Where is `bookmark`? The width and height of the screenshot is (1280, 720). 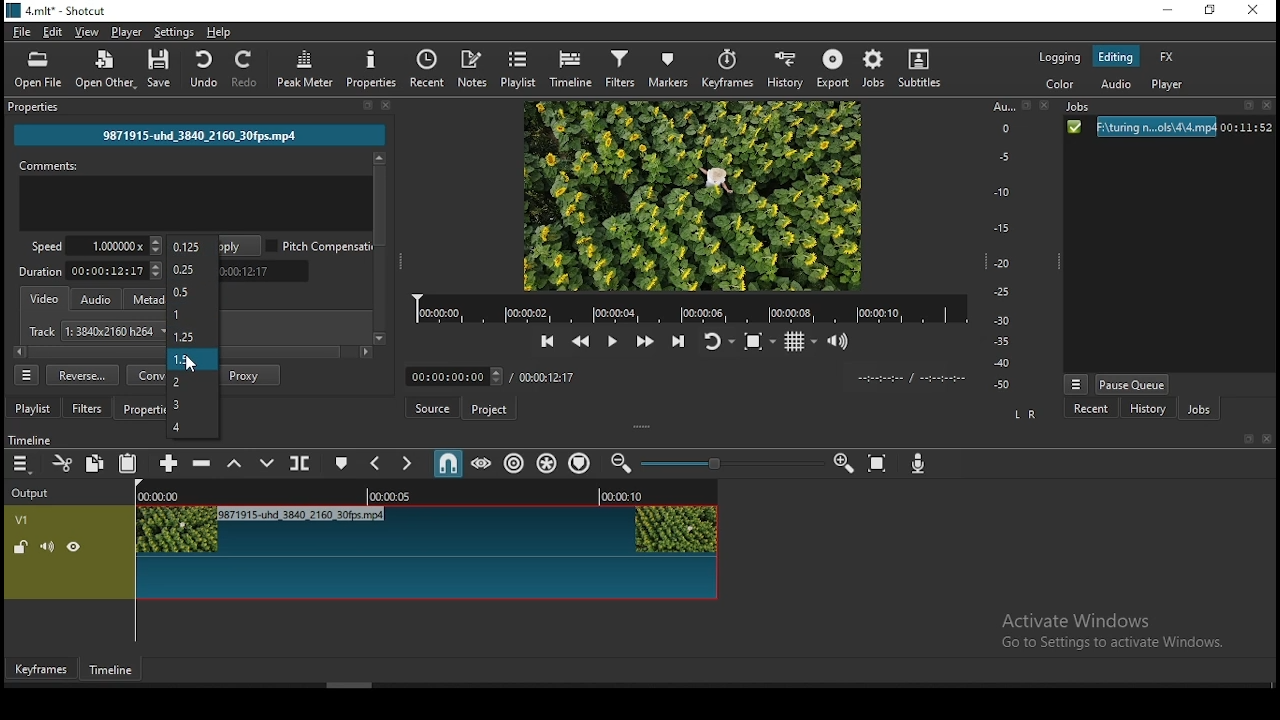
bookmark is located at coordinates (1249, 108).